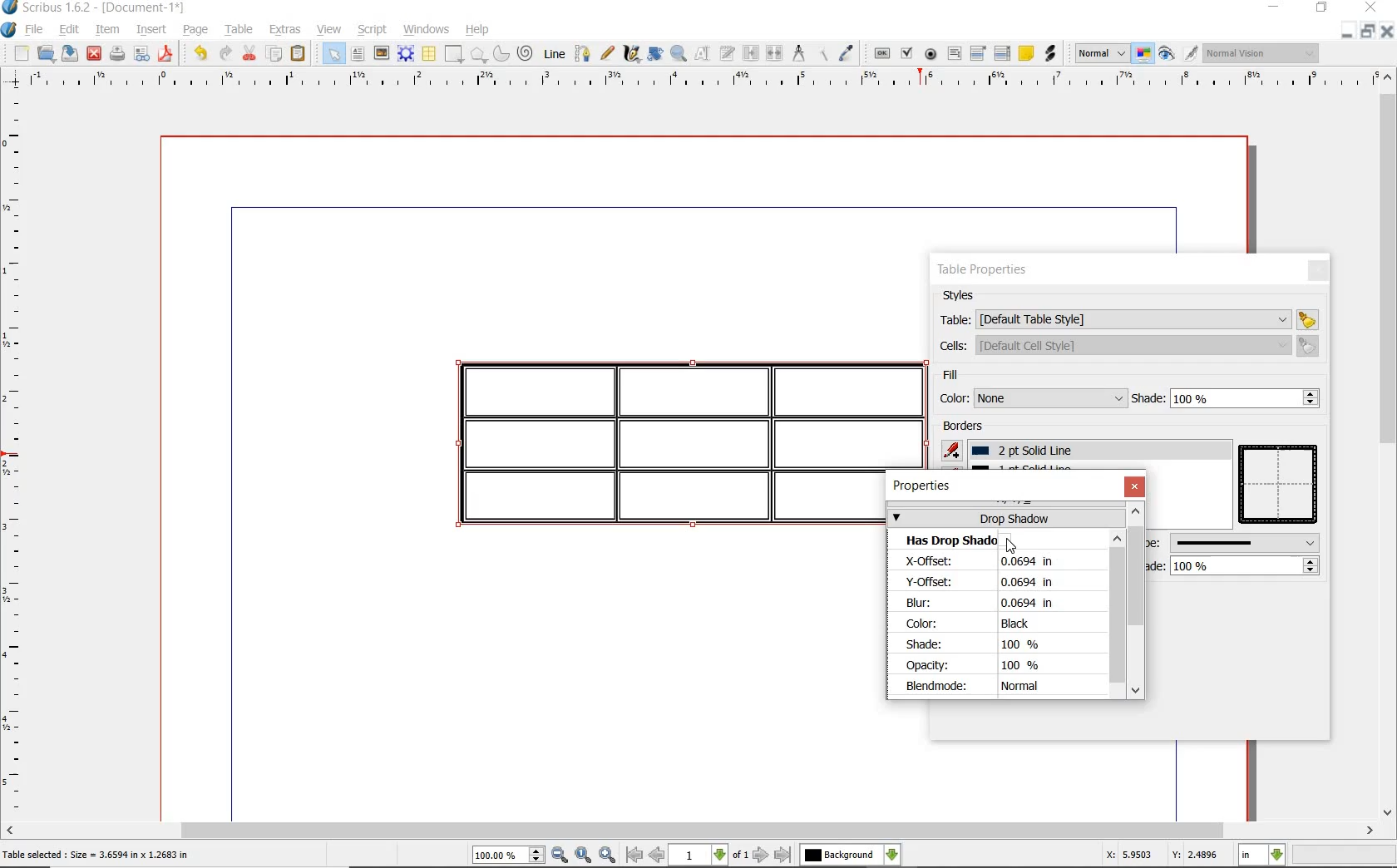 The height and width of the screenshot is (868, 1397). Describe the element at coordinates (196, 31) in the screenshot. I see `page` at that location.